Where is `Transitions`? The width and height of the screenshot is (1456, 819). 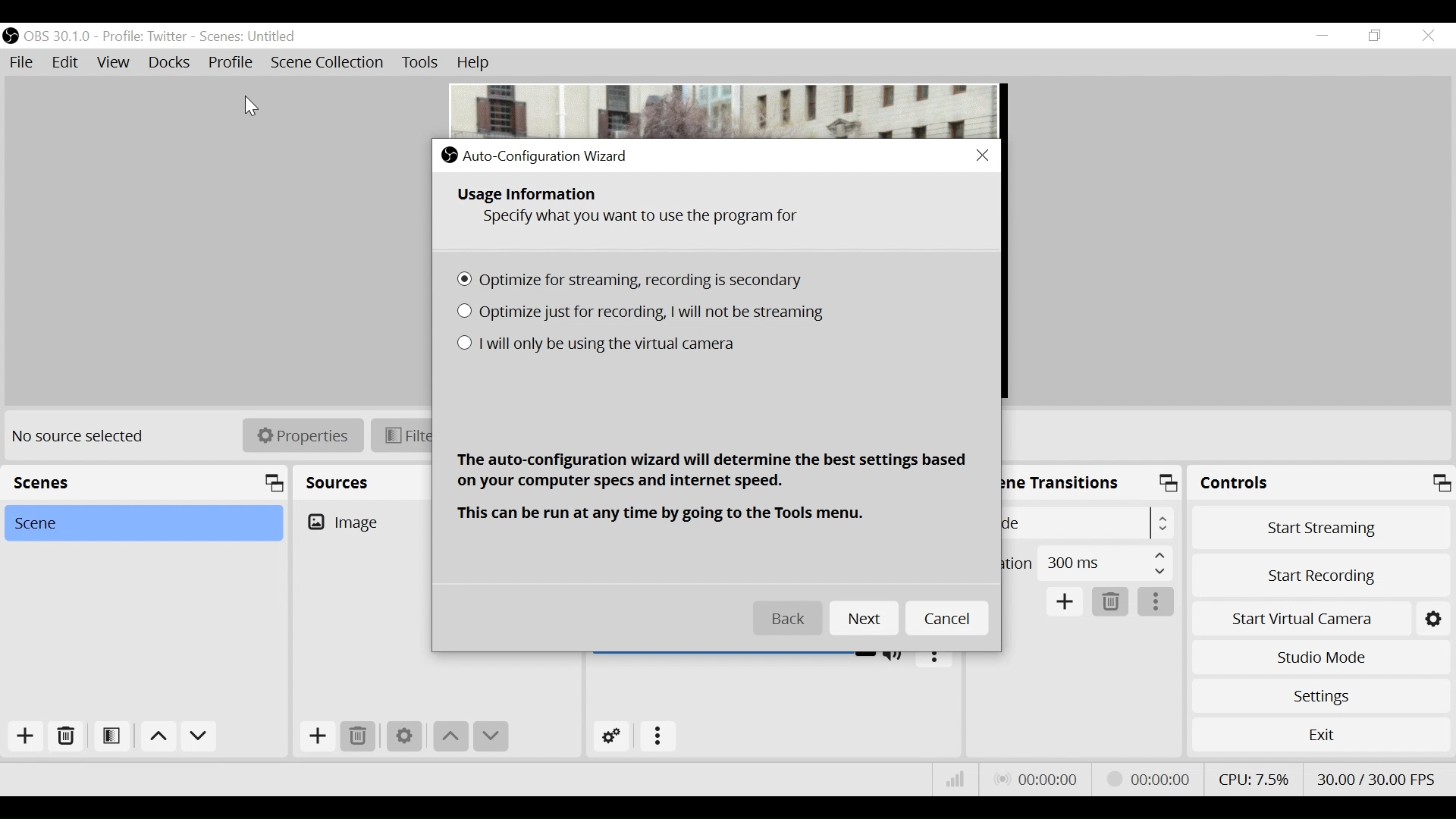 Transitions is located at coordinates (1064, 481).